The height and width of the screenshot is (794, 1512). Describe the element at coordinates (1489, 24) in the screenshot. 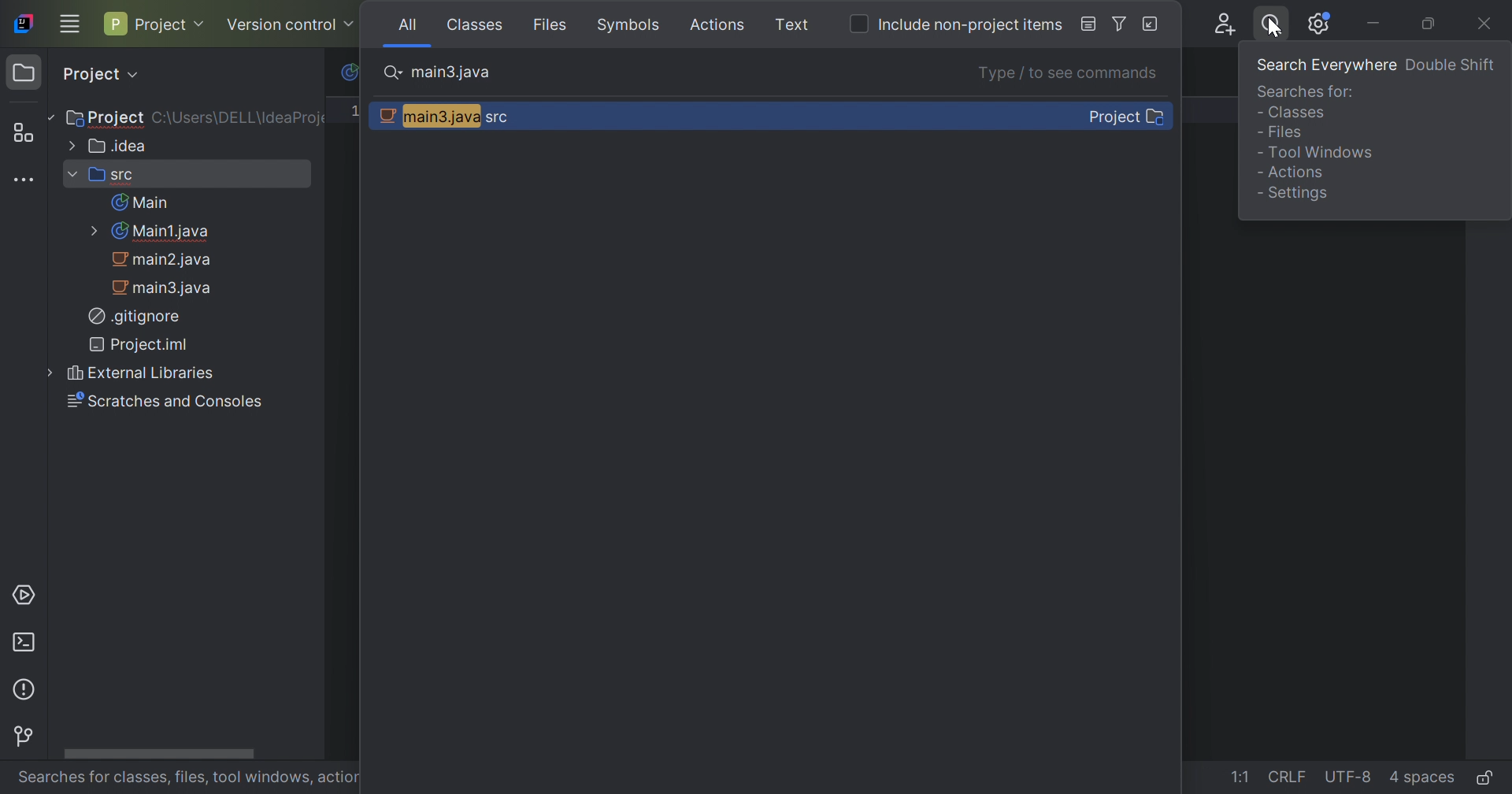

I see `Close` at that location.